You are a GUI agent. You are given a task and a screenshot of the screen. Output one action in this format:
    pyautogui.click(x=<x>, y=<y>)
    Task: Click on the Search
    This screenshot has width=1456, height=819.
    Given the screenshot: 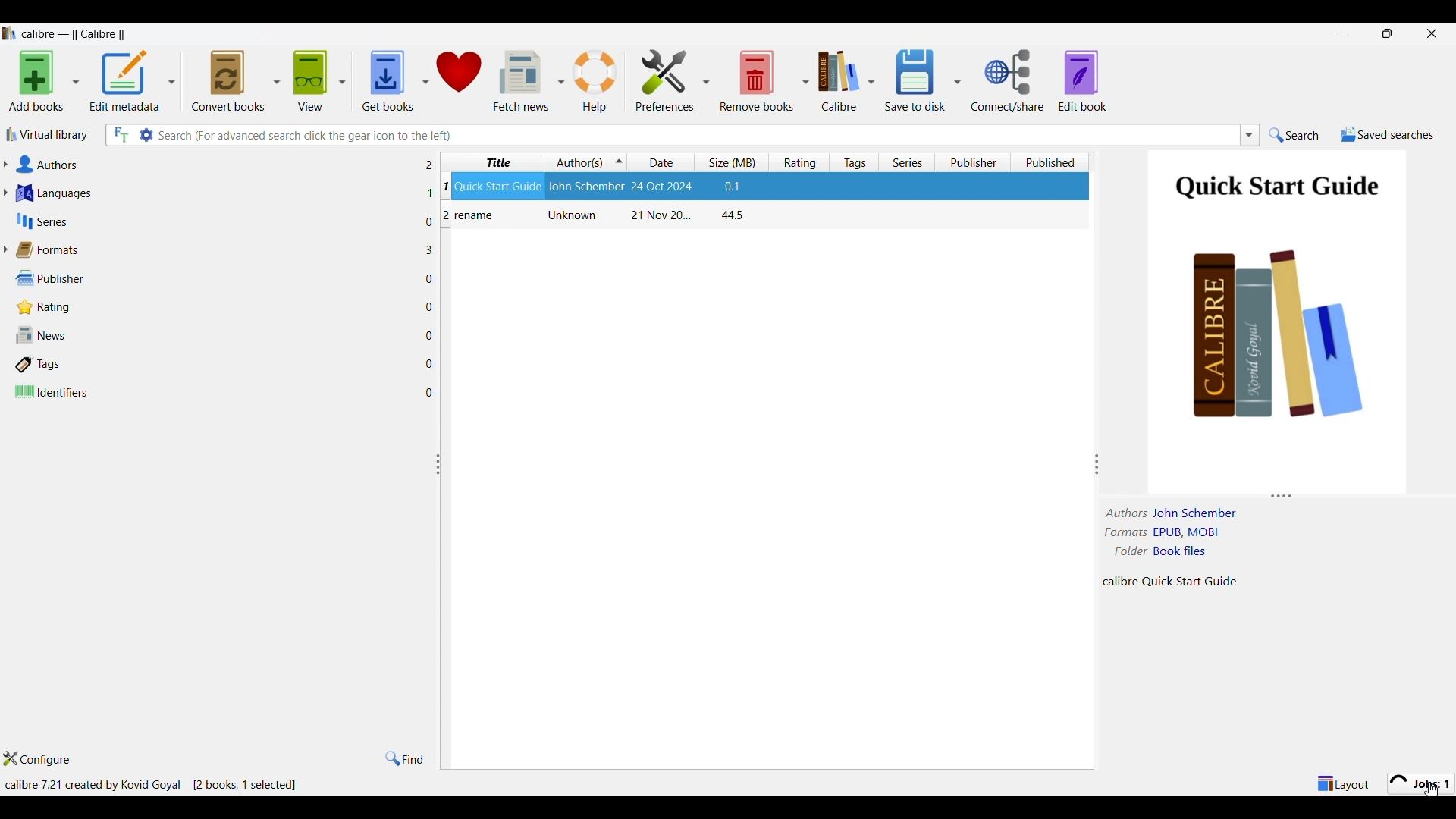 What is the action you would take?
    pyautogui.click(x=1294, y=135)
    